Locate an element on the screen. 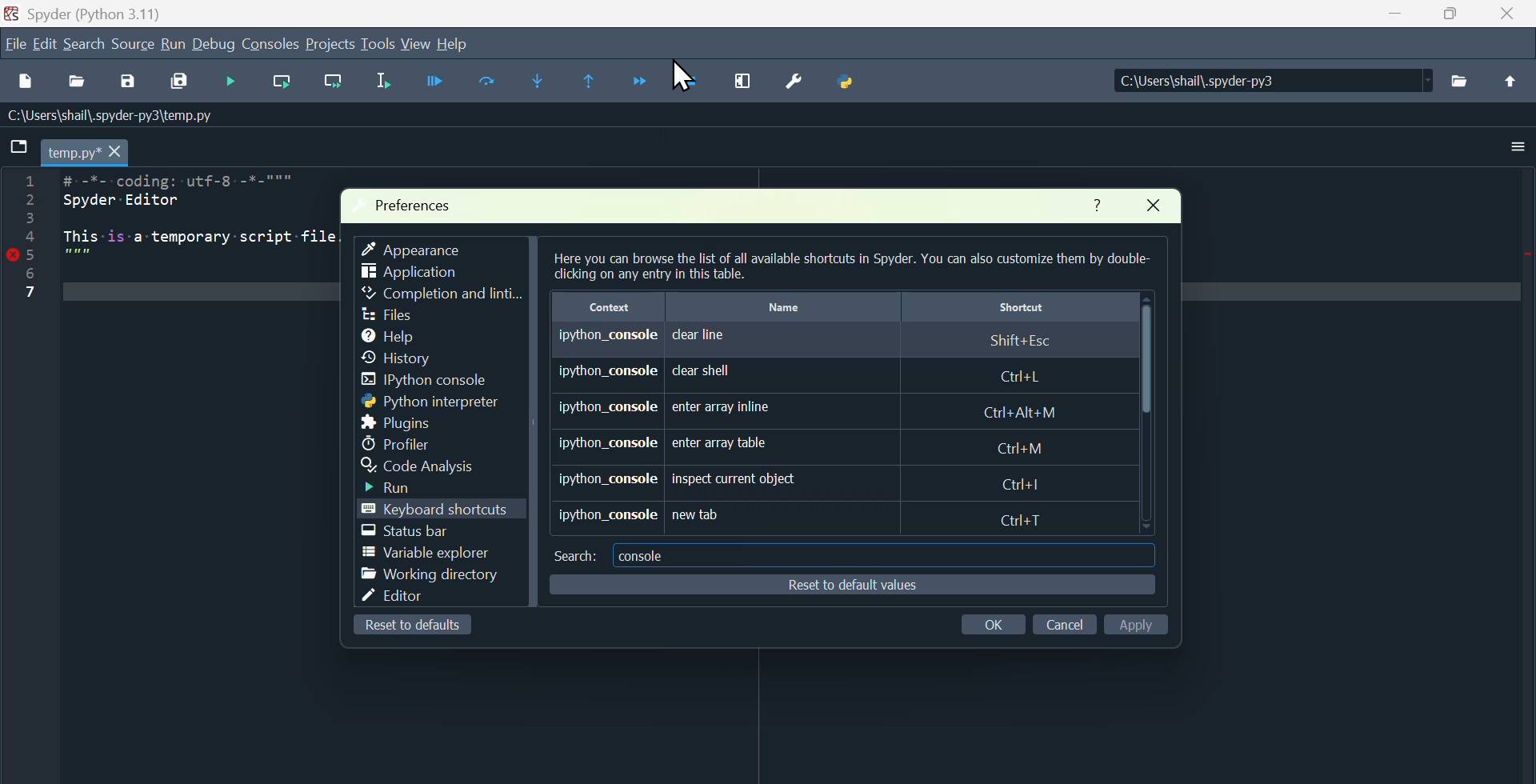 This screenshot has width=1536, height=784. Debug is located at coordinates (216, 47).